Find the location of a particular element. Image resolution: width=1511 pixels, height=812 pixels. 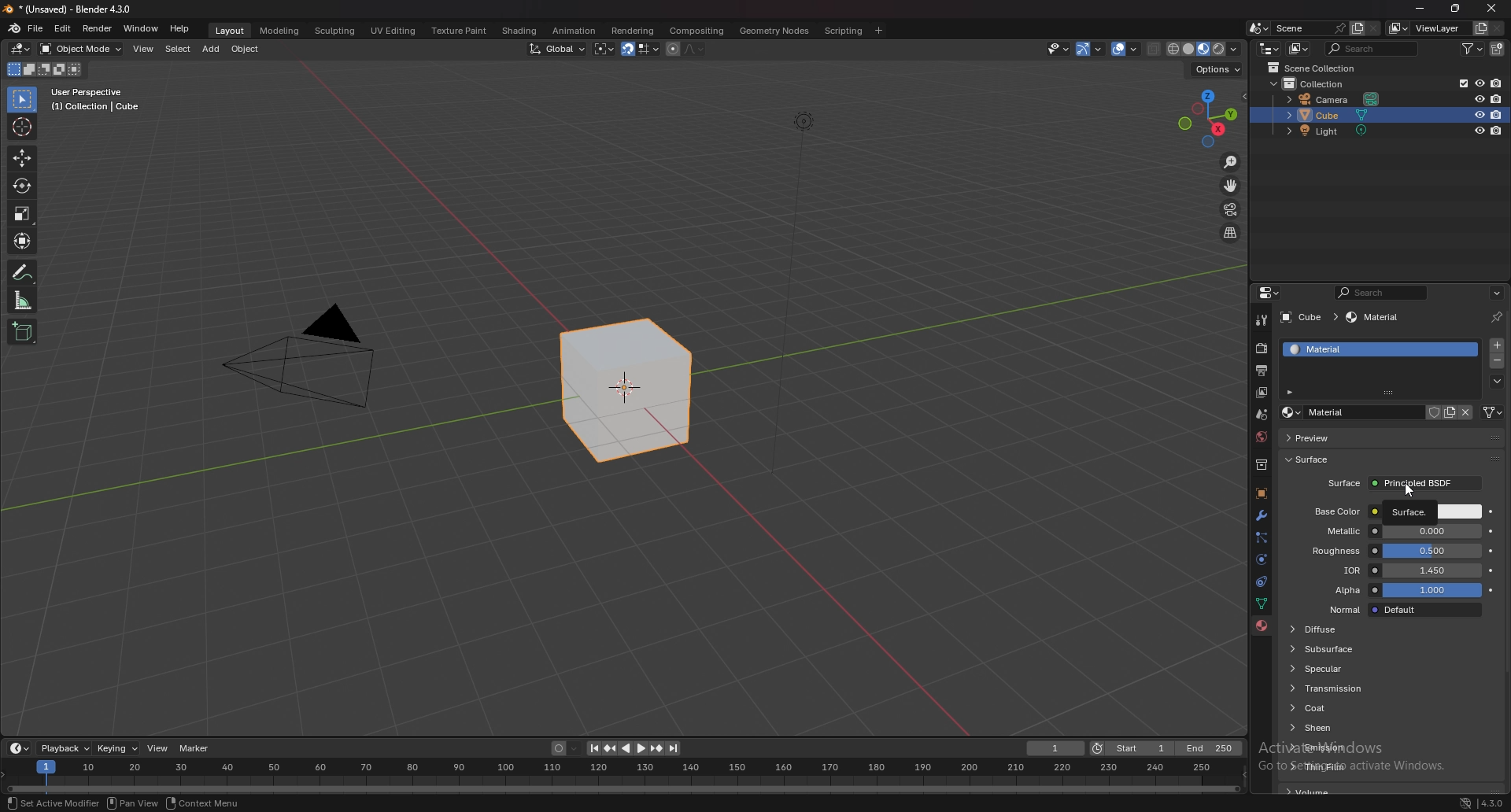

viewport shading is located at coordinates (1202, 49).